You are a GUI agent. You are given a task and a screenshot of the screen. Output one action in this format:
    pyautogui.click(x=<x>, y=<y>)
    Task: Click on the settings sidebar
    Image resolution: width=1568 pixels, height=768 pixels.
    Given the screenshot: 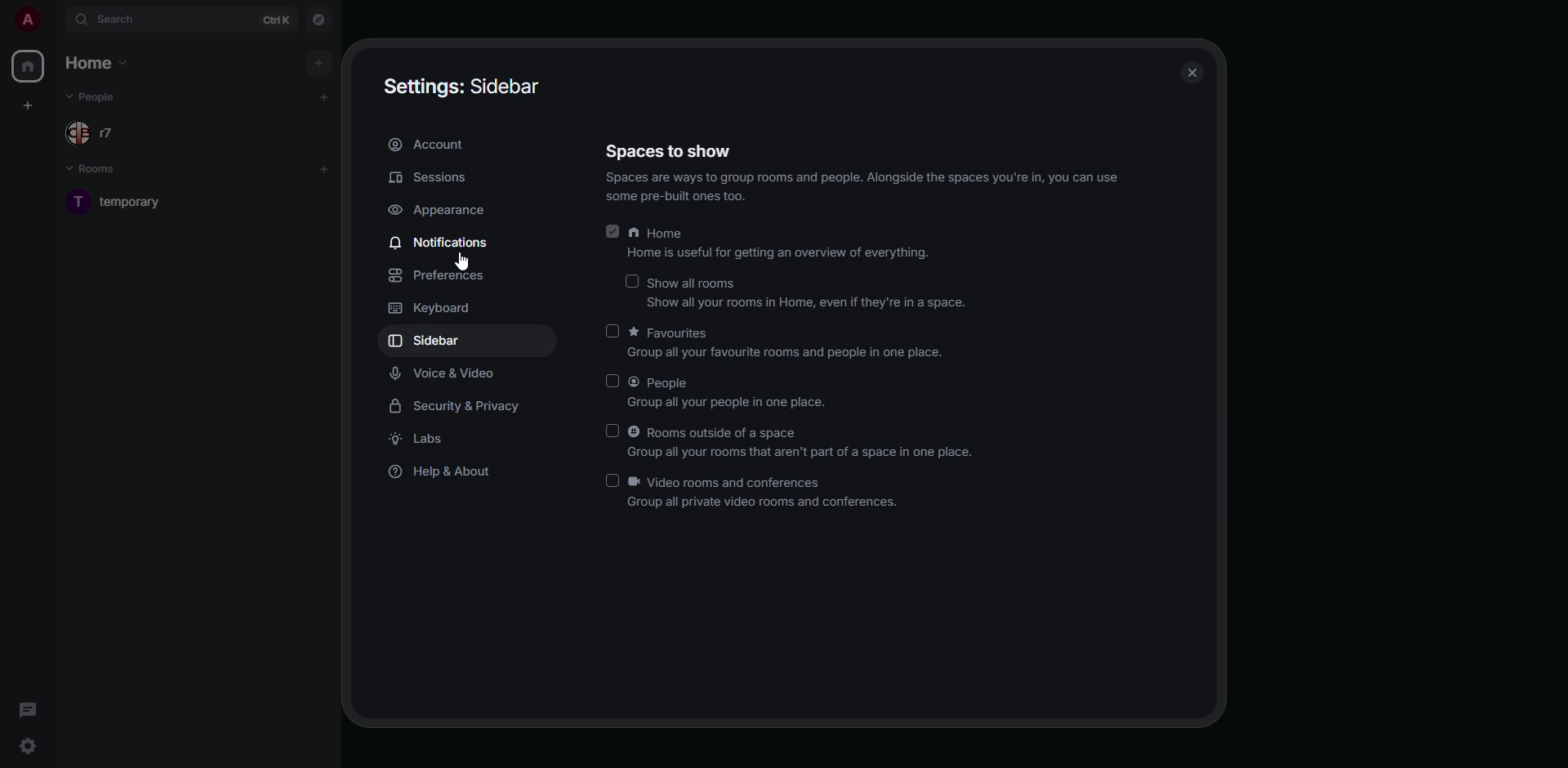 What is the action you would take?
    pyautogui.click(x=471, y=86)
    